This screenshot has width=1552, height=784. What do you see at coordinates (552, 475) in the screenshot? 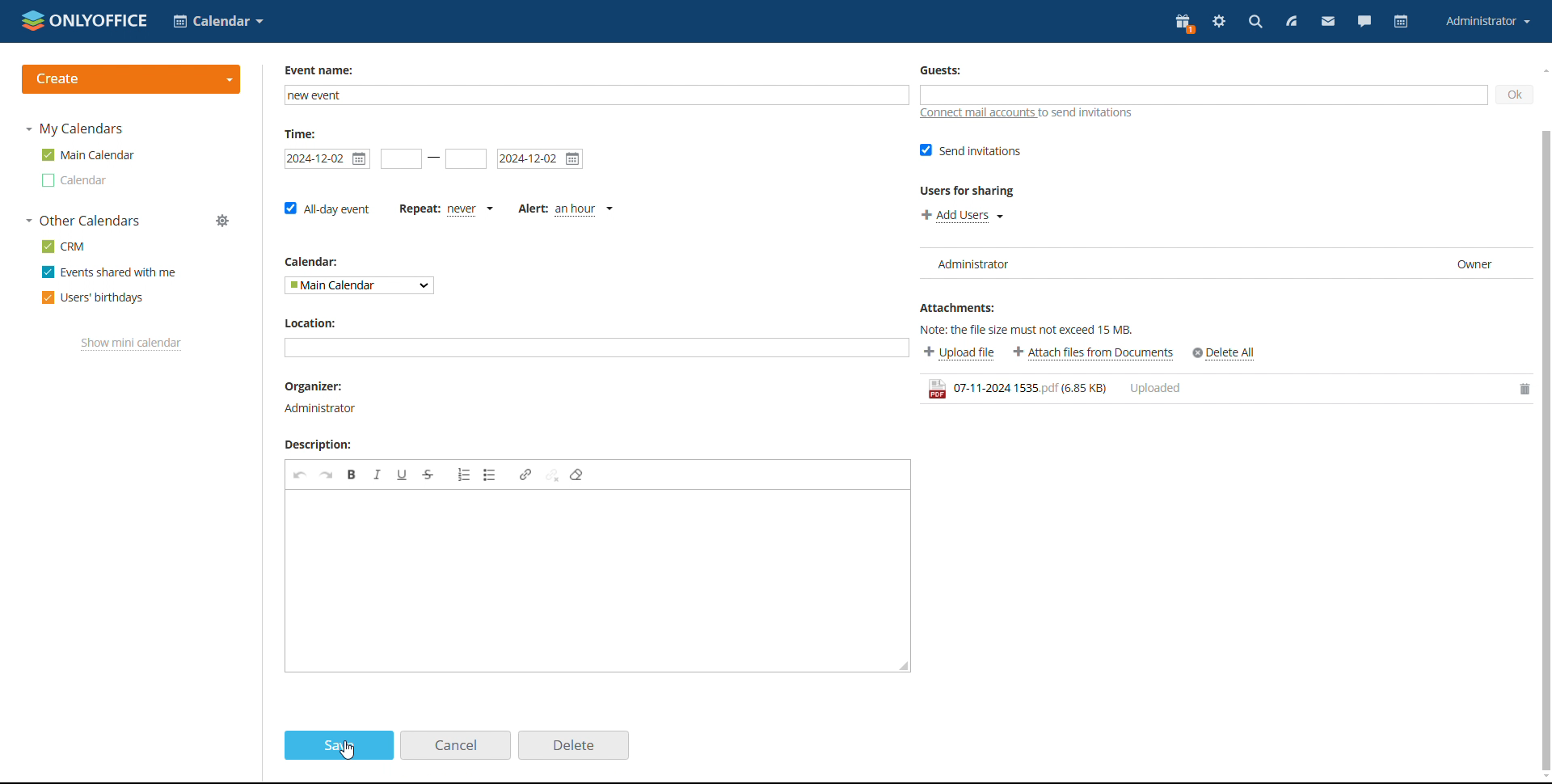
I see `unlink` at bounding box center [552, 475].